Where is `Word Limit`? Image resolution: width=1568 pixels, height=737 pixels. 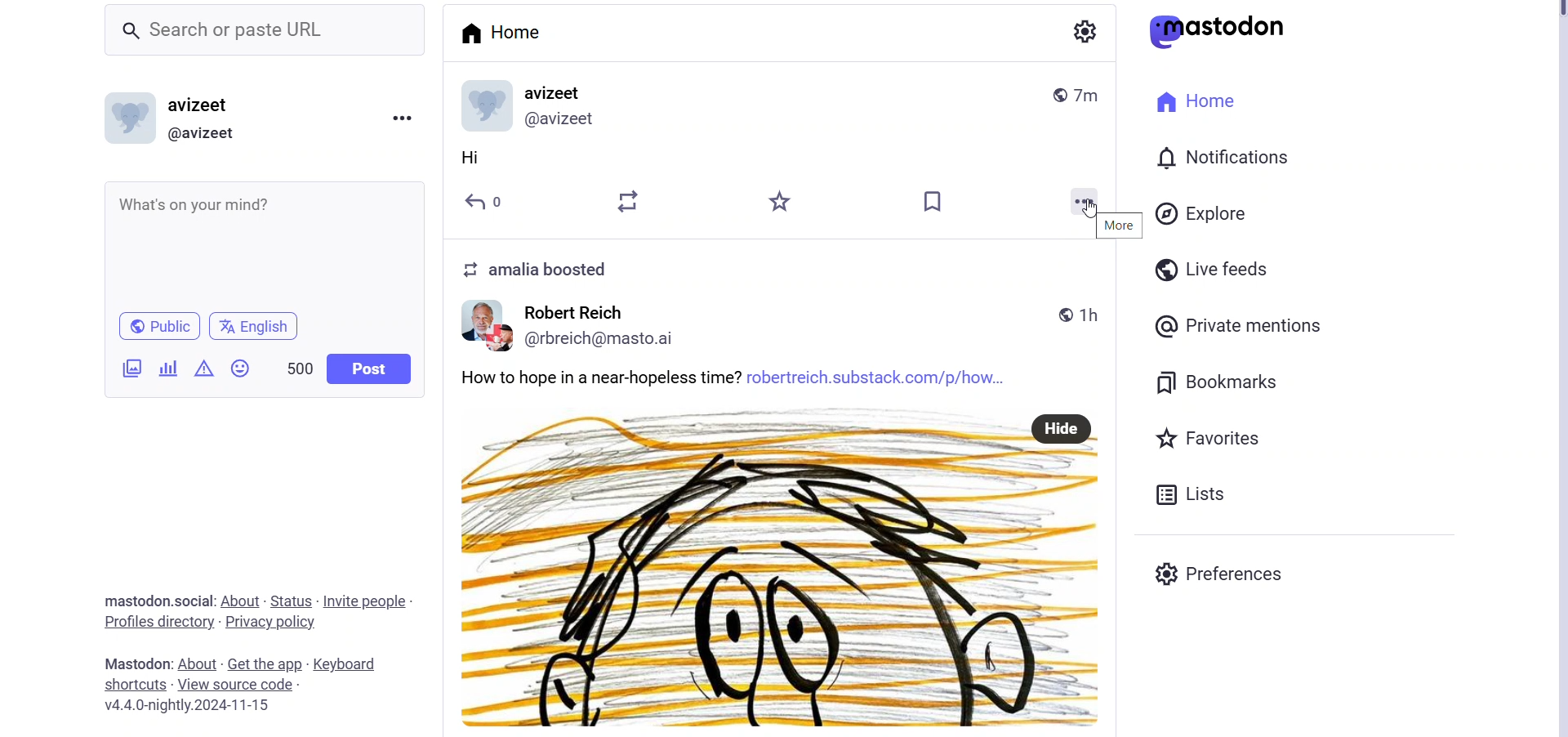
Word Limit is located at coordinates (301, 367).